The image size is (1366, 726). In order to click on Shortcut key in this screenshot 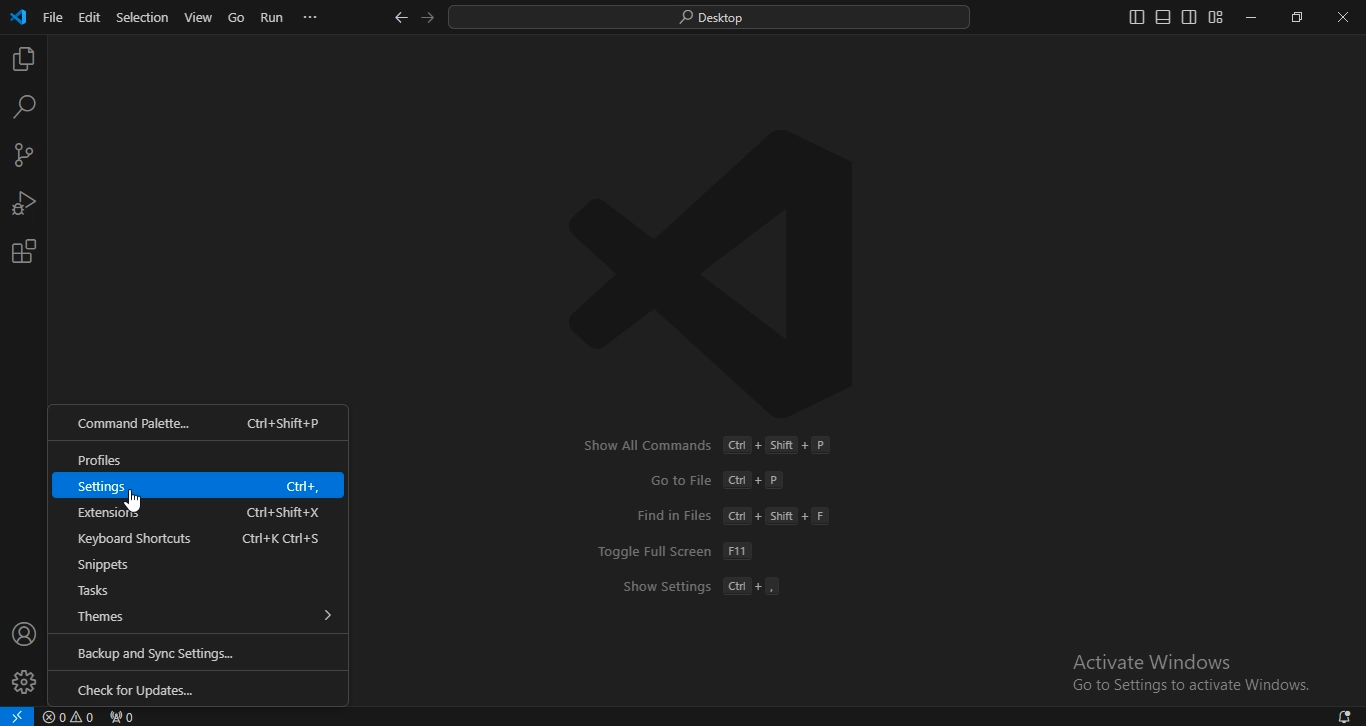, I will do `click(285, 538)`.